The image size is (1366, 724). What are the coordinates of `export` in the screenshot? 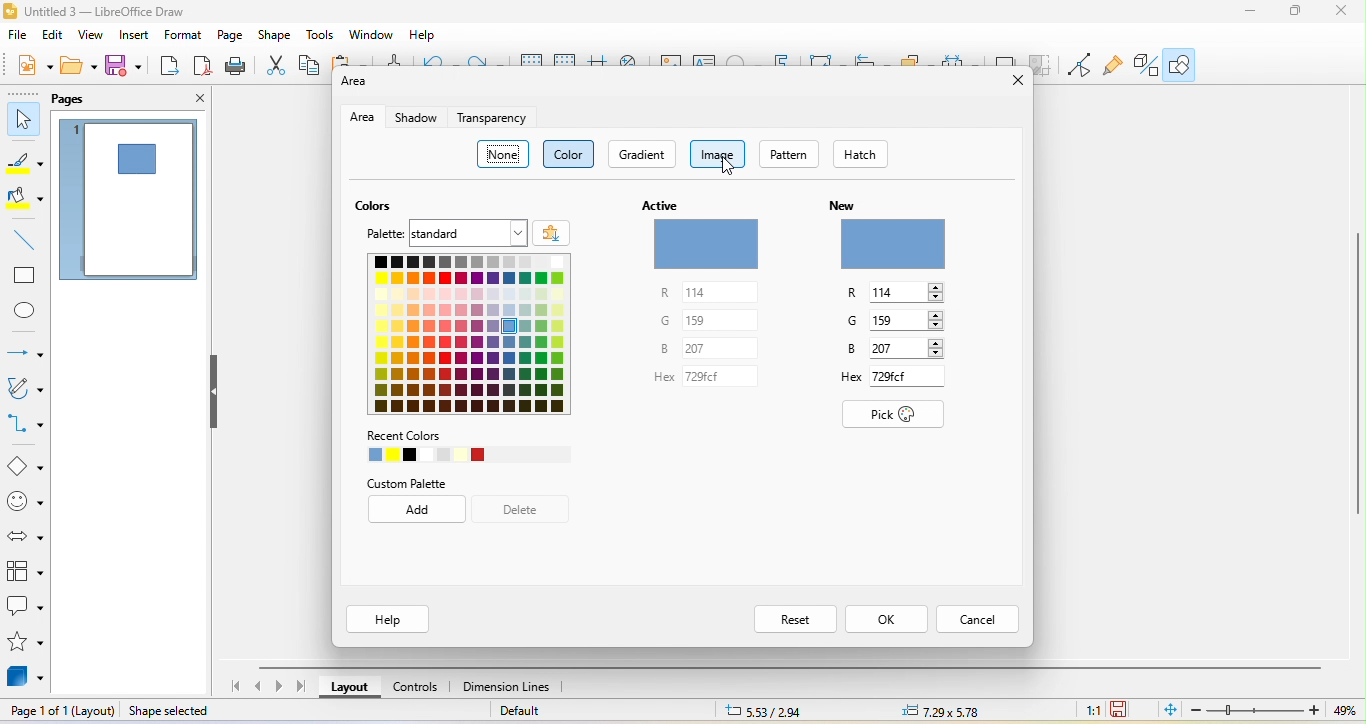 It's located at (169, 67).